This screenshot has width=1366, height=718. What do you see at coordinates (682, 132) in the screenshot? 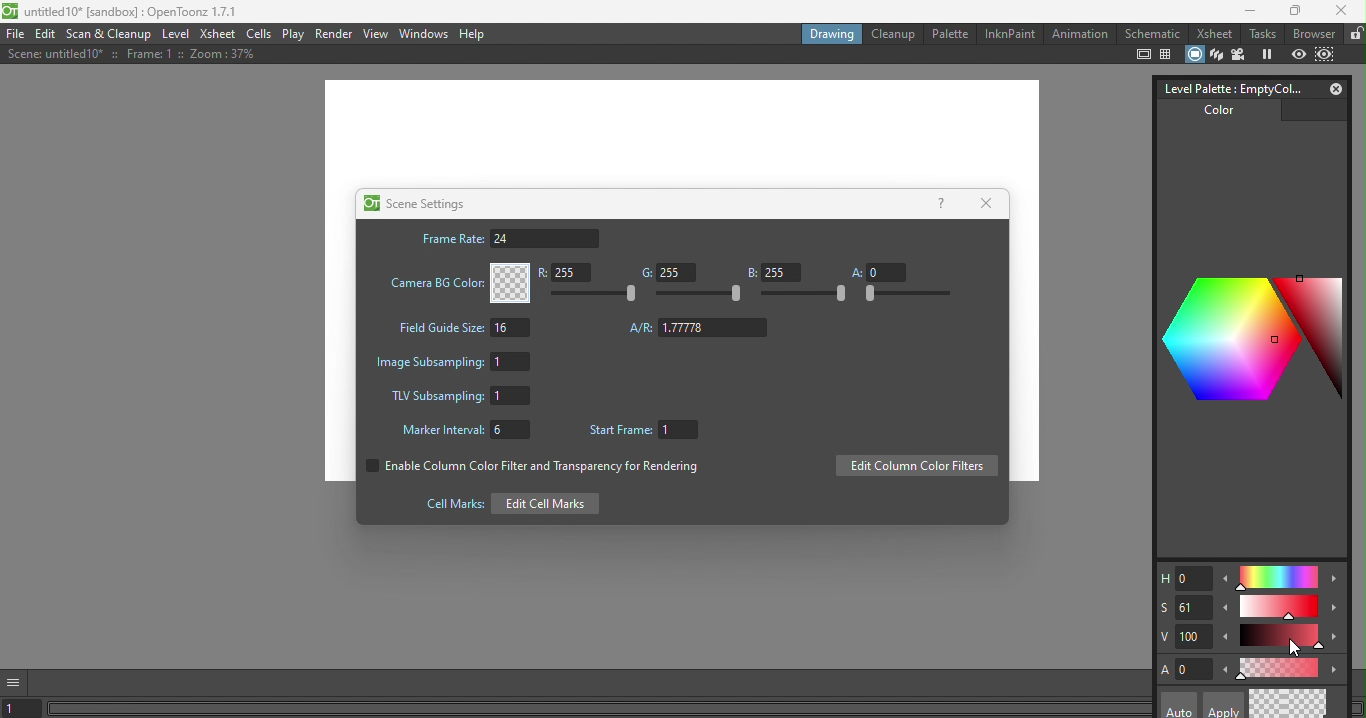
I see `workspace` at bounding box center [682, 132].